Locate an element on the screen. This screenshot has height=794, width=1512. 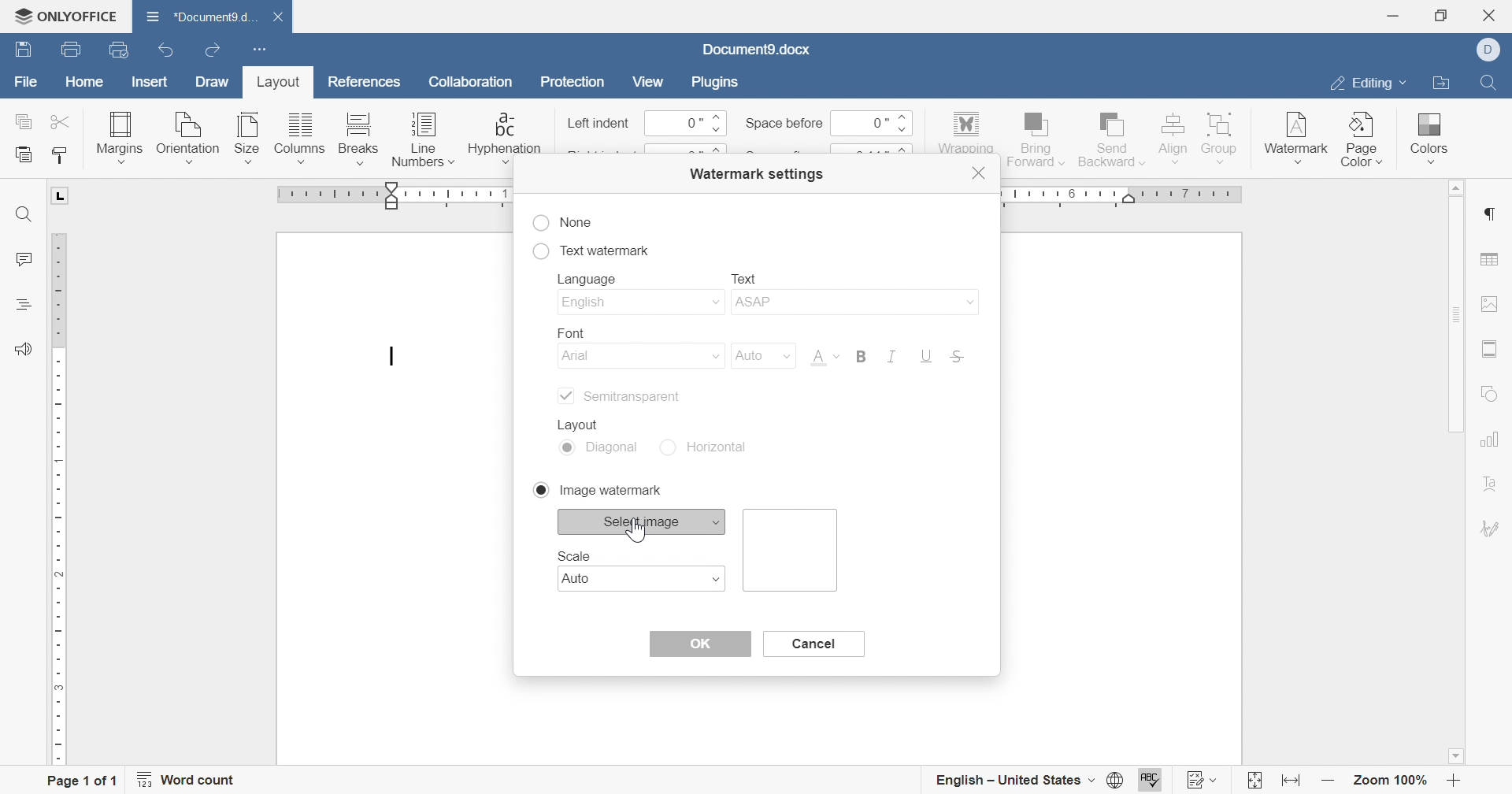
dell is located at coordinates (1494, 50).